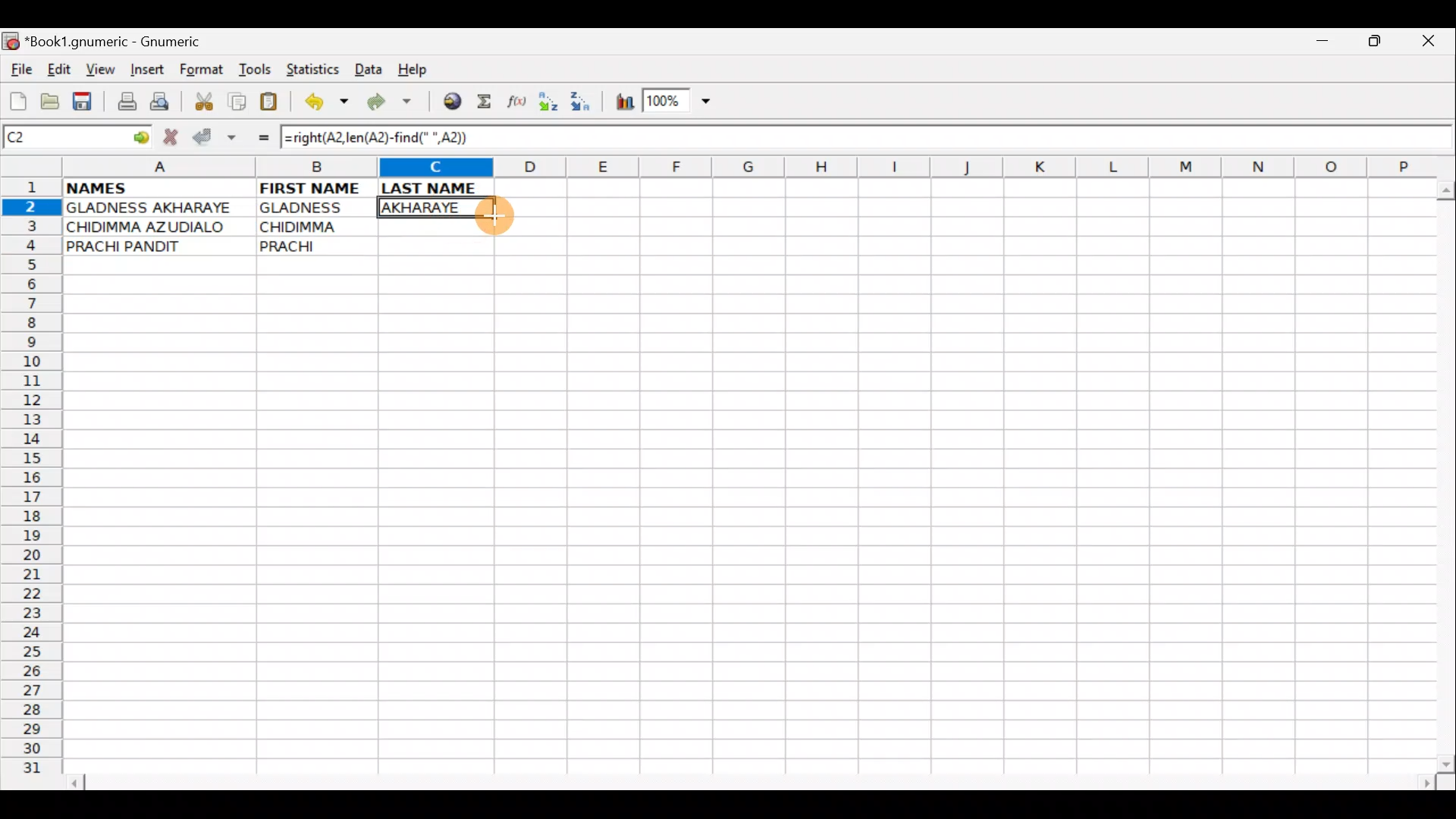 Image resolution: width=1456 pixels, height=819 pixels. Describe the element at coordinates (61, 138) in the screenshot. I see `Cell name C2` at that location.